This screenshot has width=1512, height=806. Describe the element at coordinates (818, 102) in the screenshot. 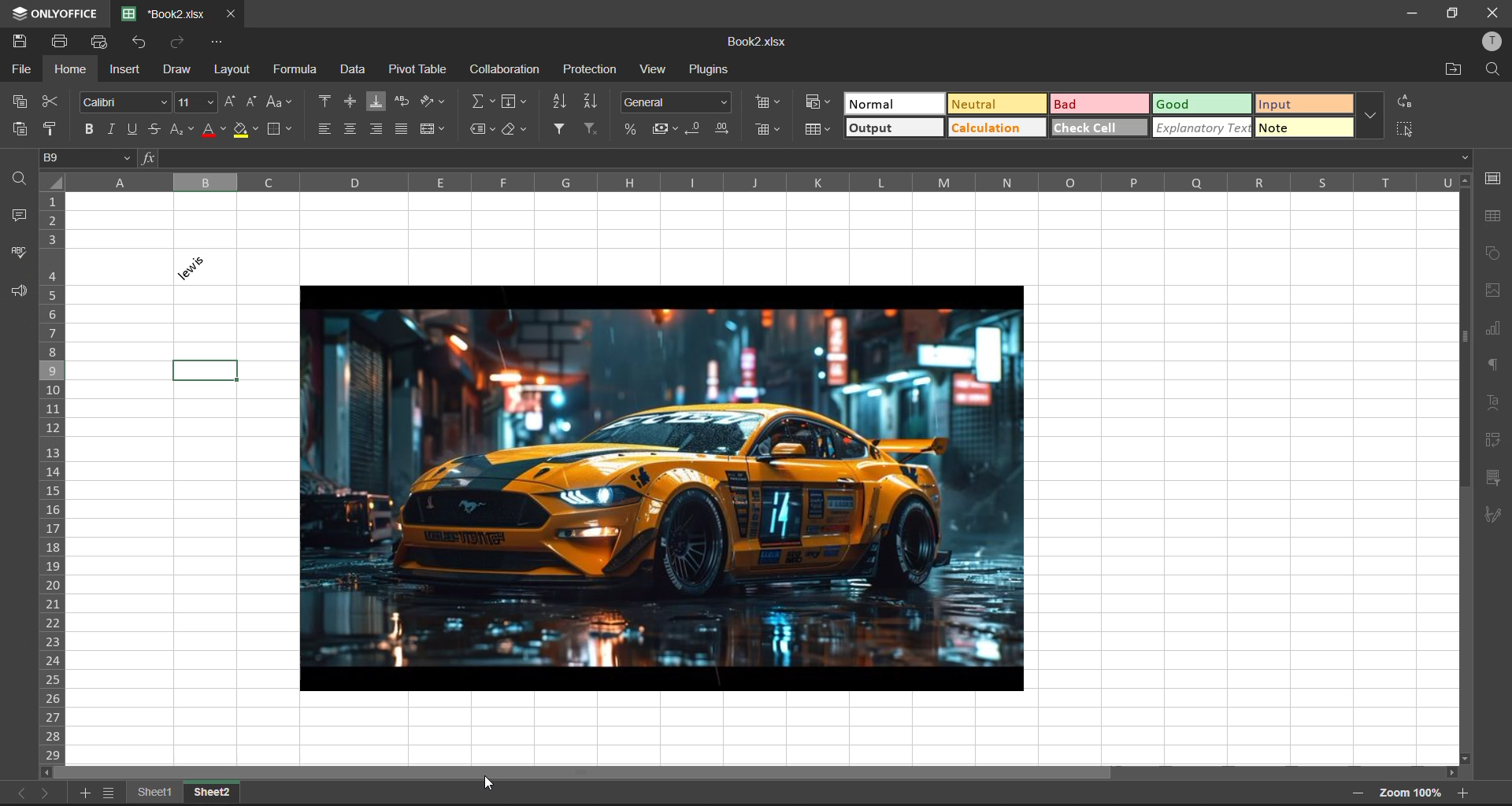

I see `conditional formatting` at that location.